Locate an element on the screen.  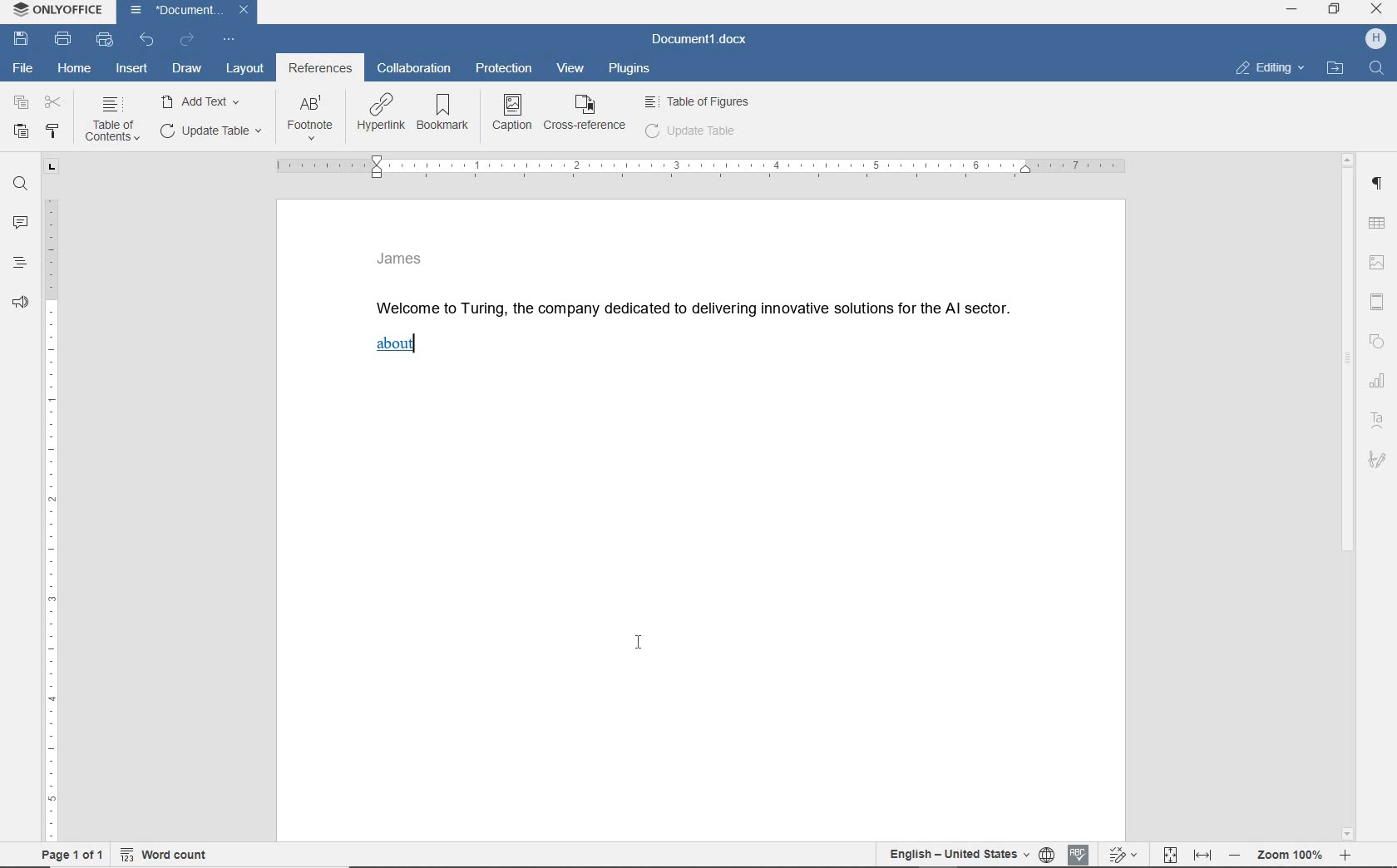
copy is located at coordinates (22, 102).